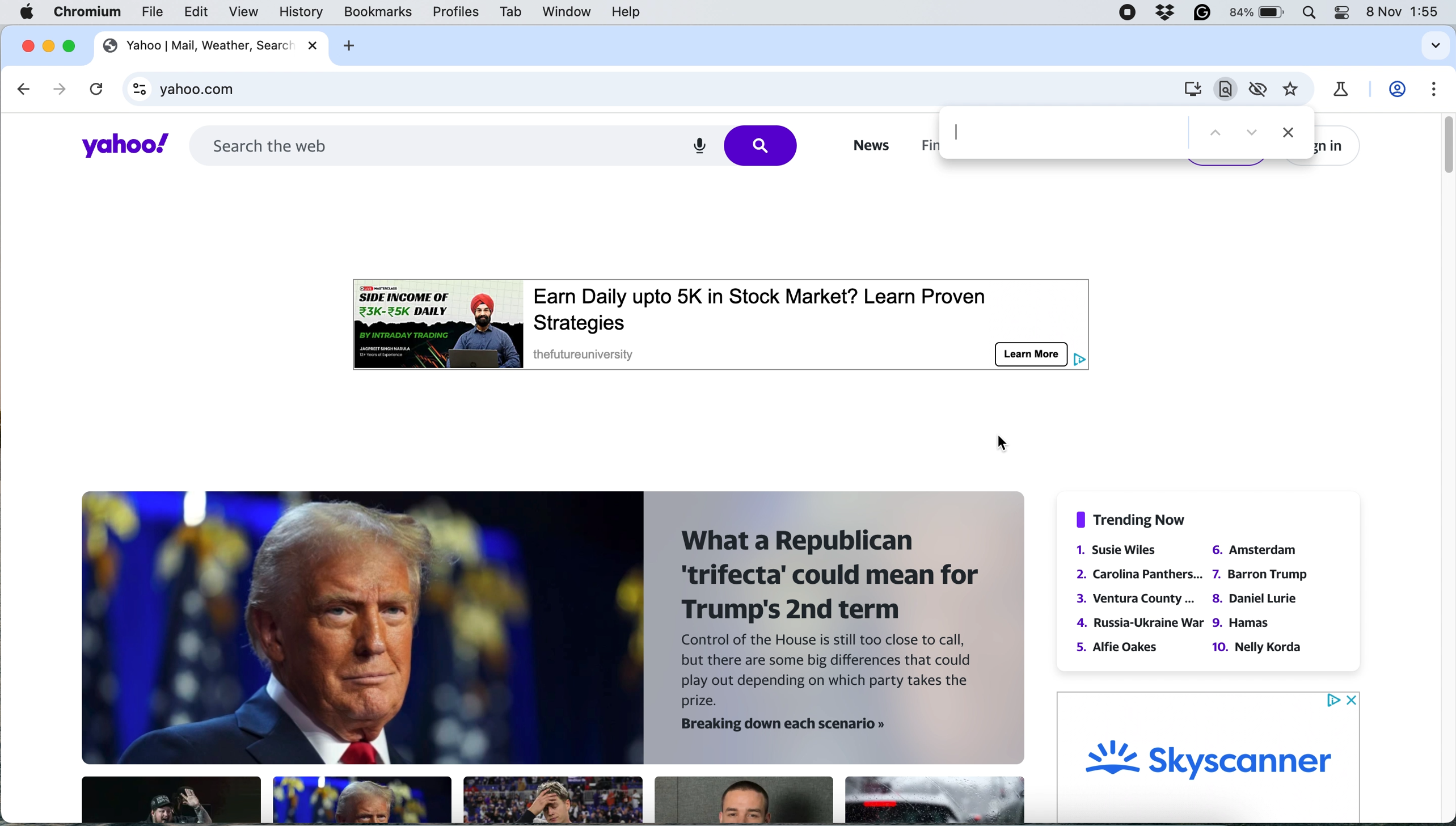 This screenshot has width=1456, height=826. Describe the element at coordinates (1258, 90) in the screenshot. I see `third party cookies limited` at that location.